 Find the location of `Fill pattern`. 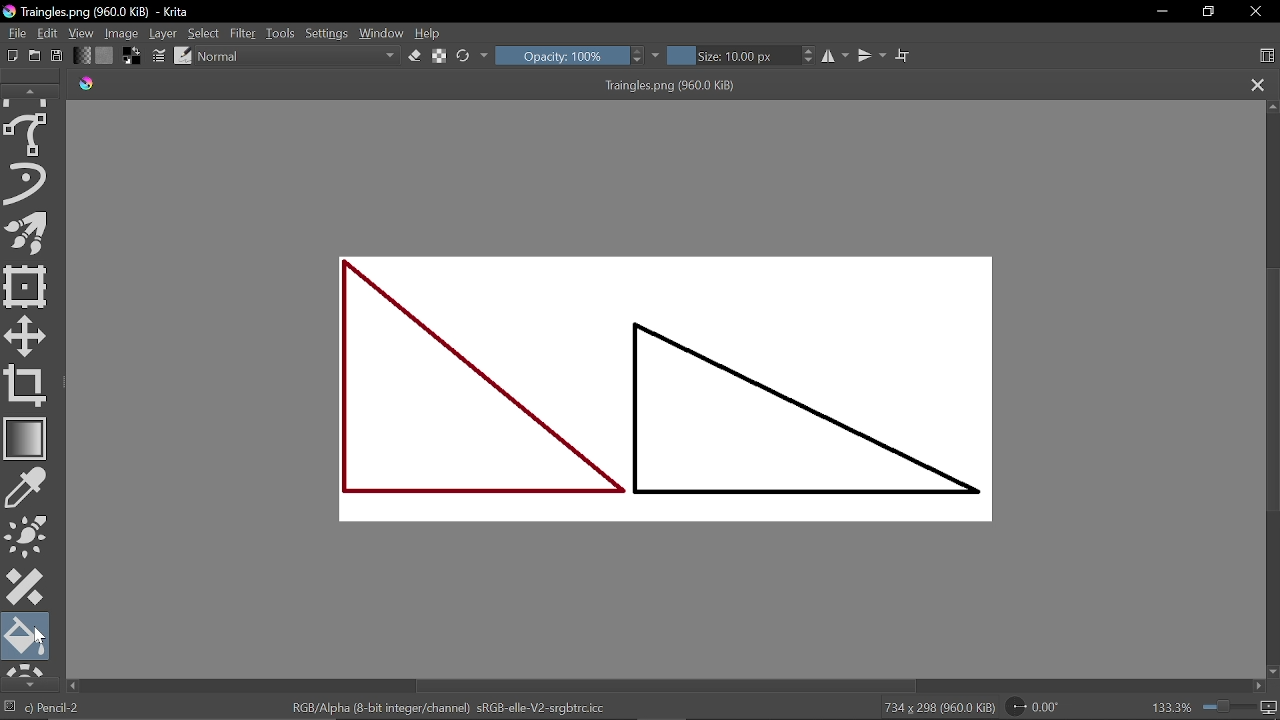

Fill pattern is located at coordinates (105, 55).